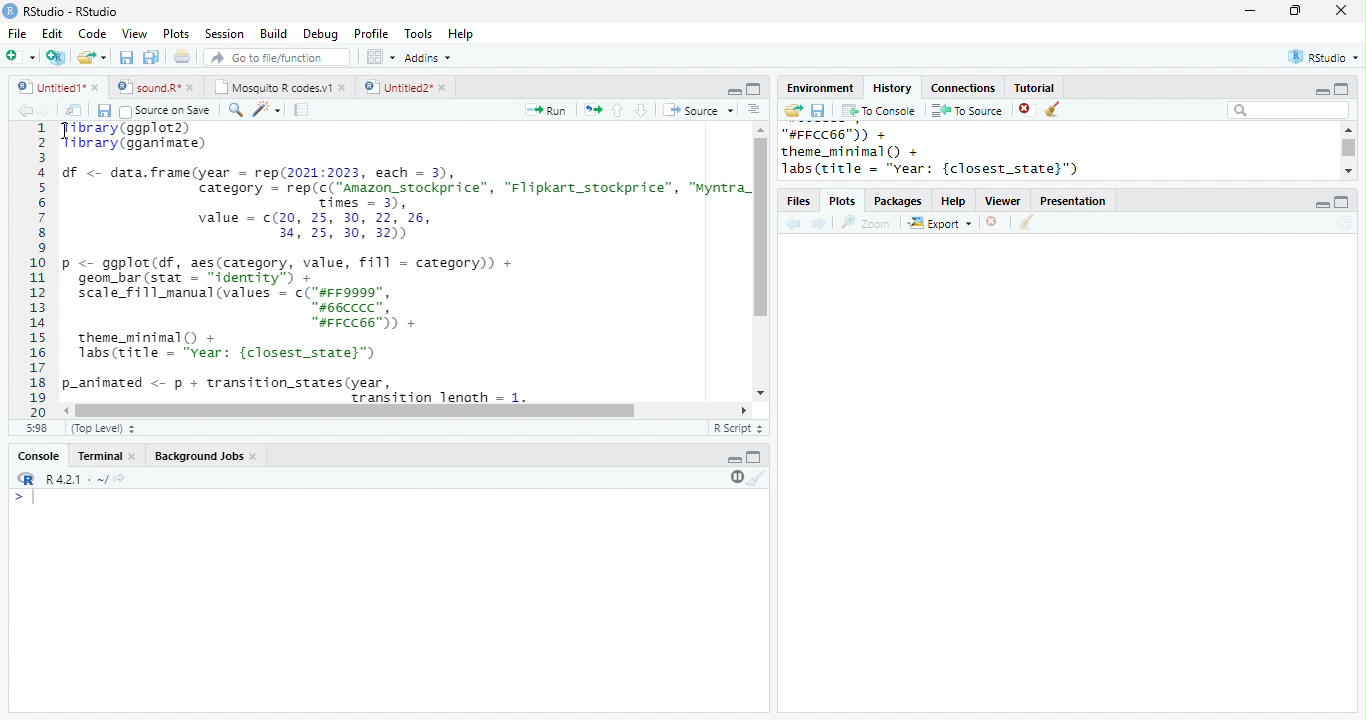  Describe the element at coordinates (181, 56) in the screenshot. I see `print` at that location.